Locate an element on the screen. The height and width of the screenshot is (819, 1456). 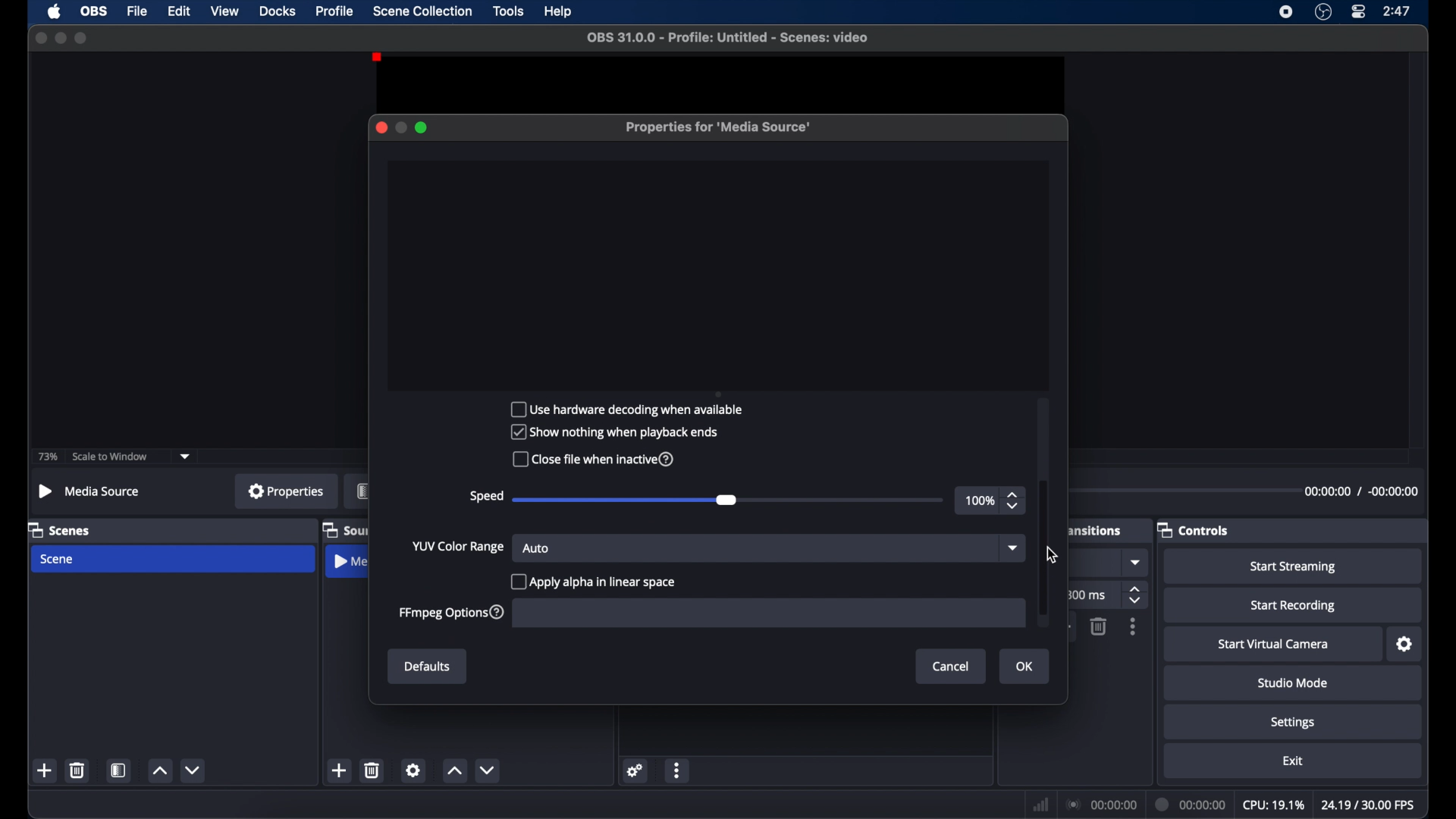
add is located at coordinates (338, 770).